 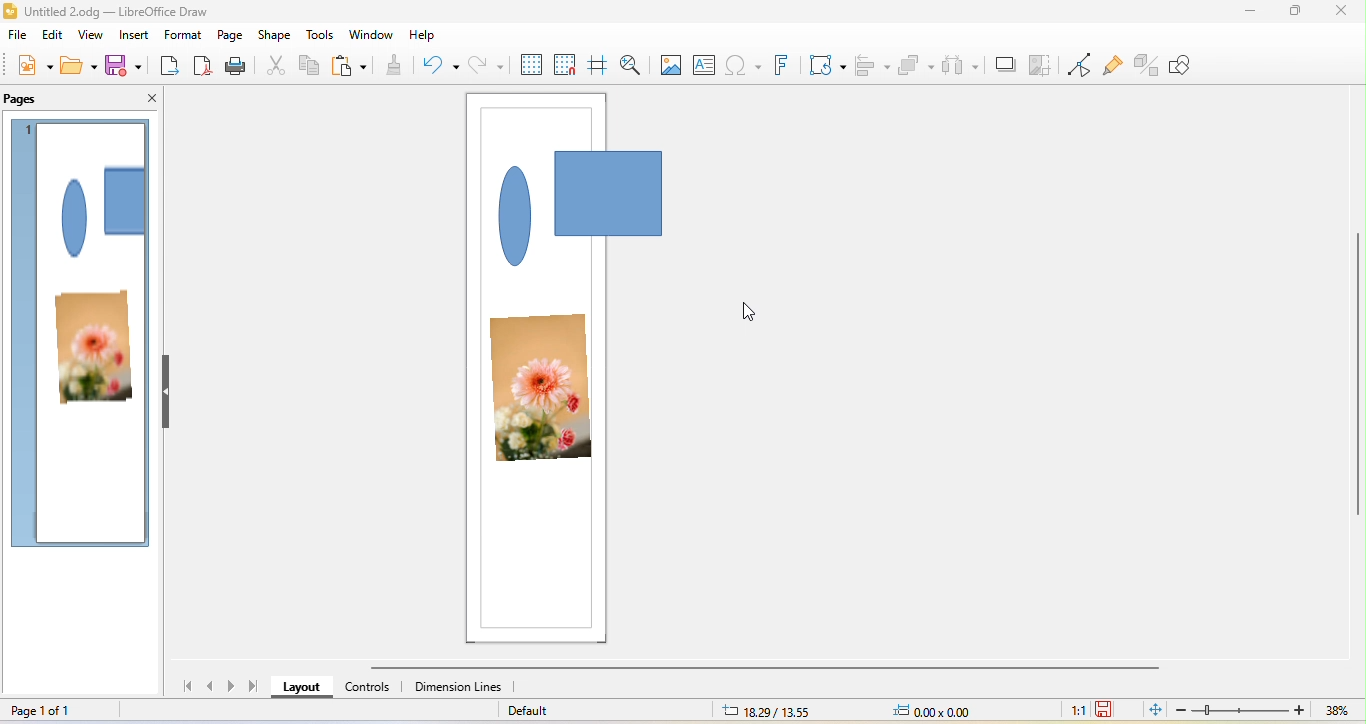 What do you see at coordinates (600, 67) in the screenshot?
I see `helpline while moving` at bounding box center [600, 67].